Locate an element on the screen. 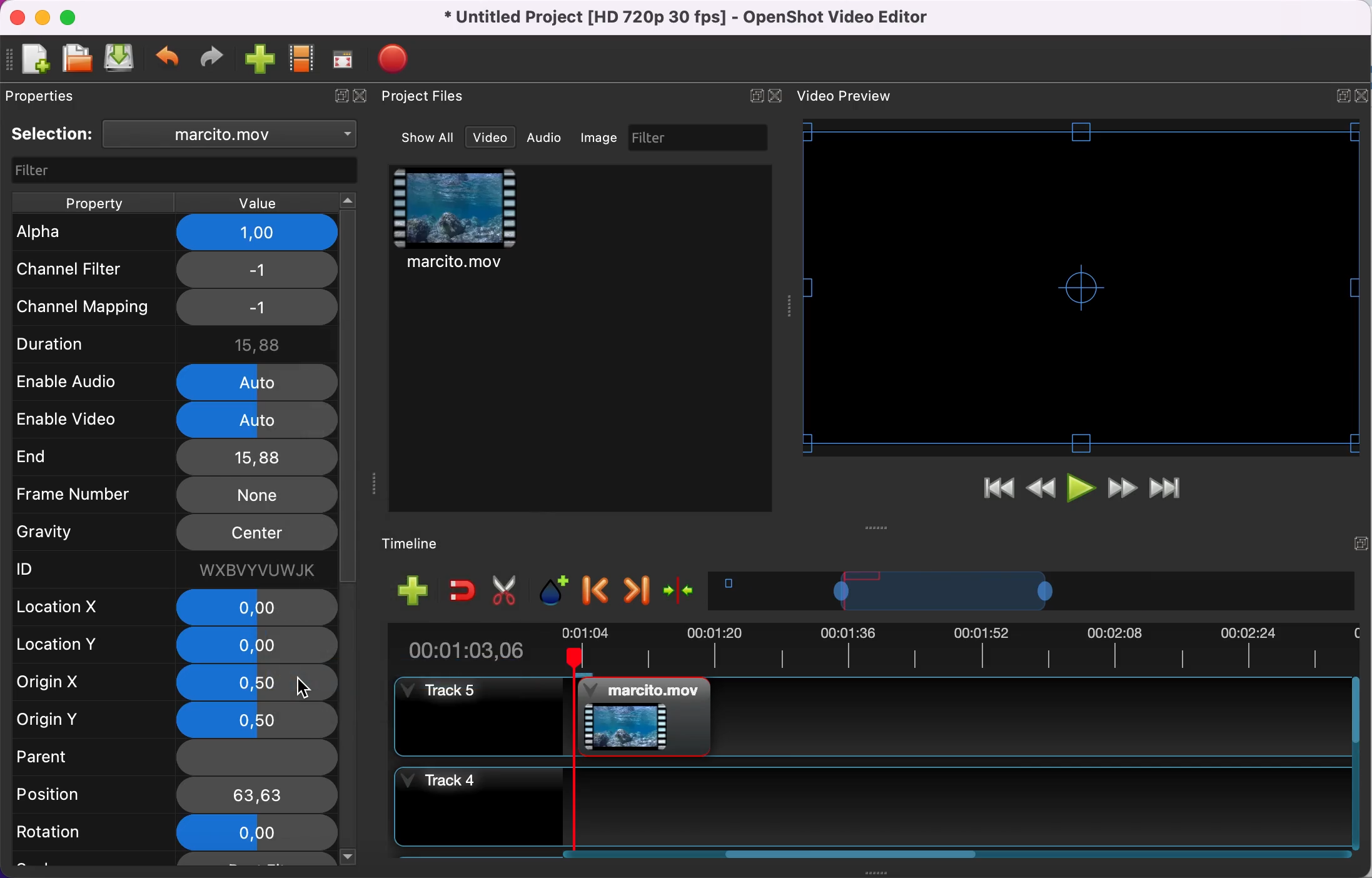 Image resolution: width=1372 pixels, height=878 pixels. Rotation 0,00 is located at coordinates (171, 831).